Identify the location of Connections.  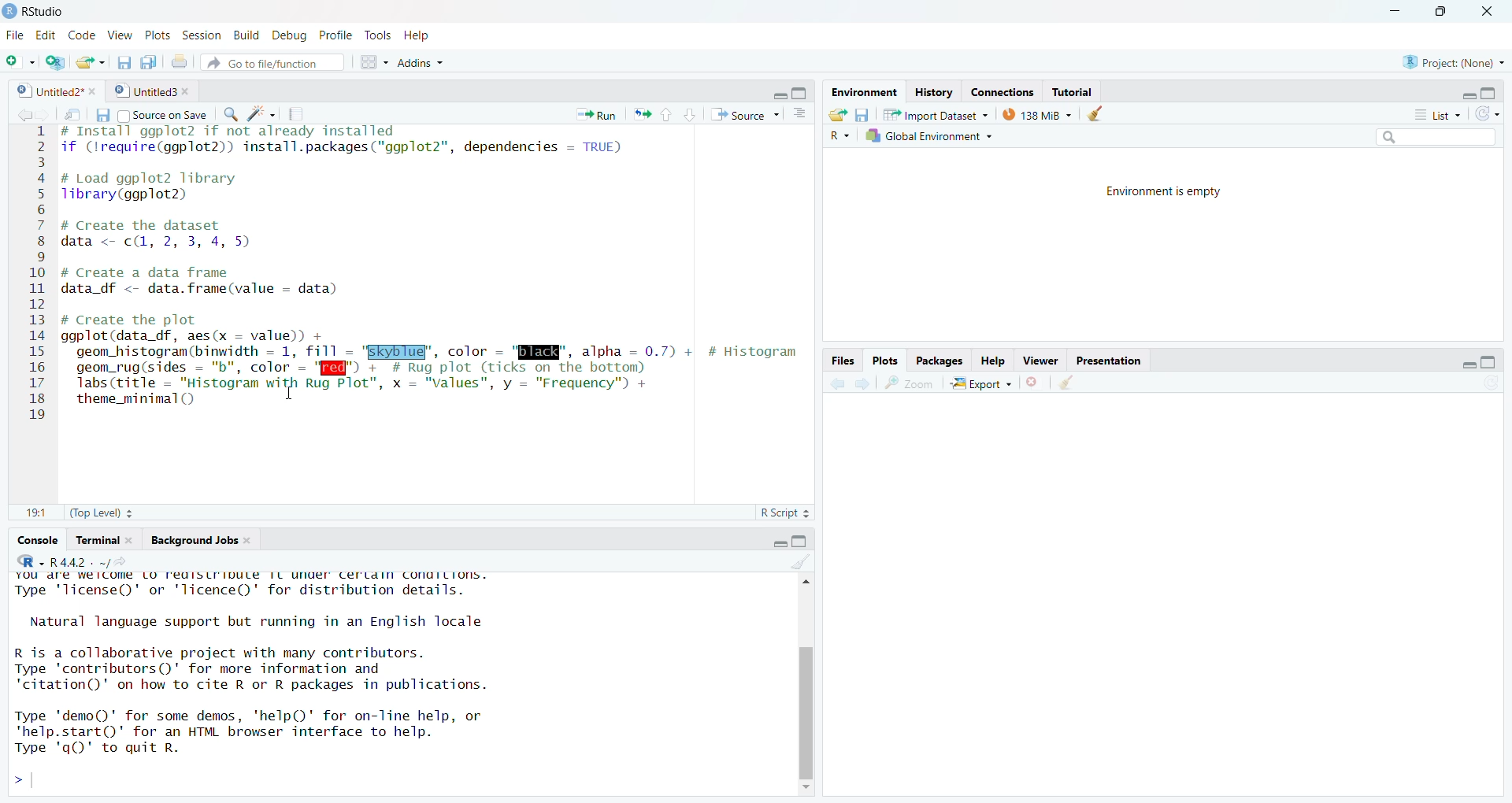
(999, 92).